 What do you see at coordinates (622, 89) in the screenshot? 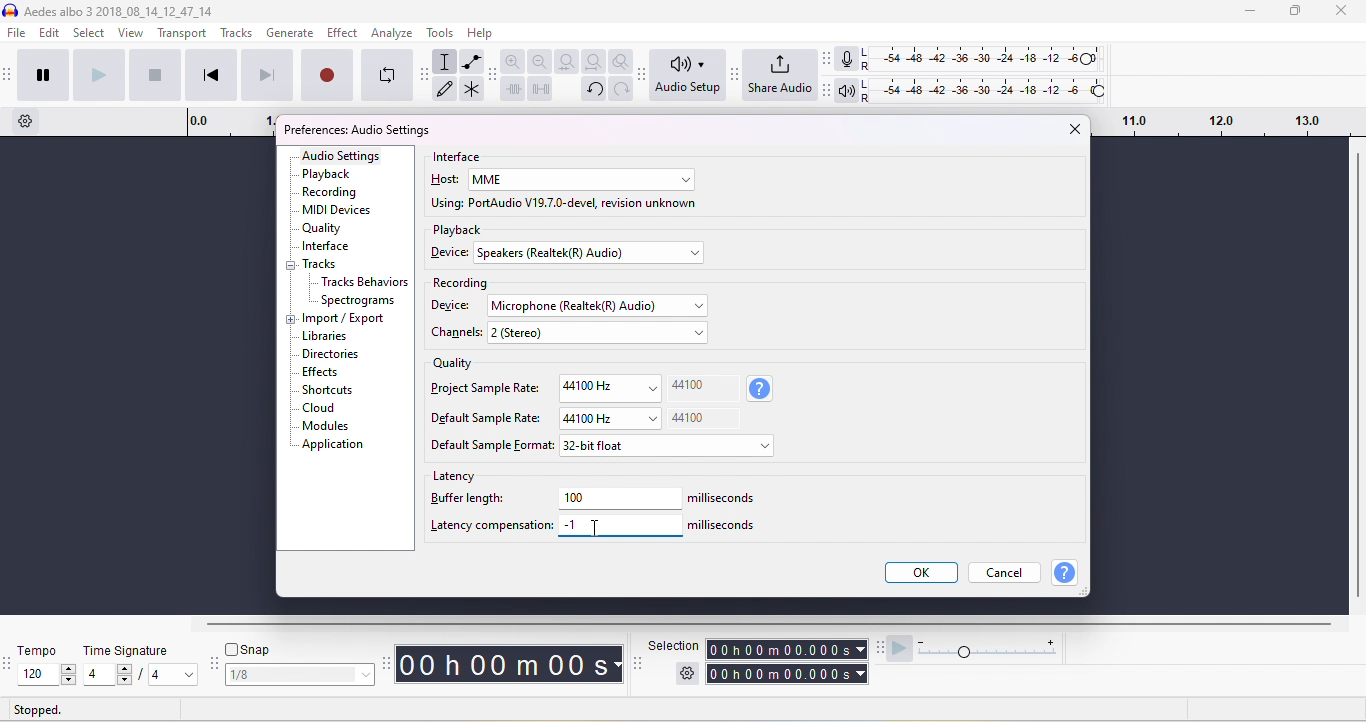
I see `redo` at bounding box center [622, 89].